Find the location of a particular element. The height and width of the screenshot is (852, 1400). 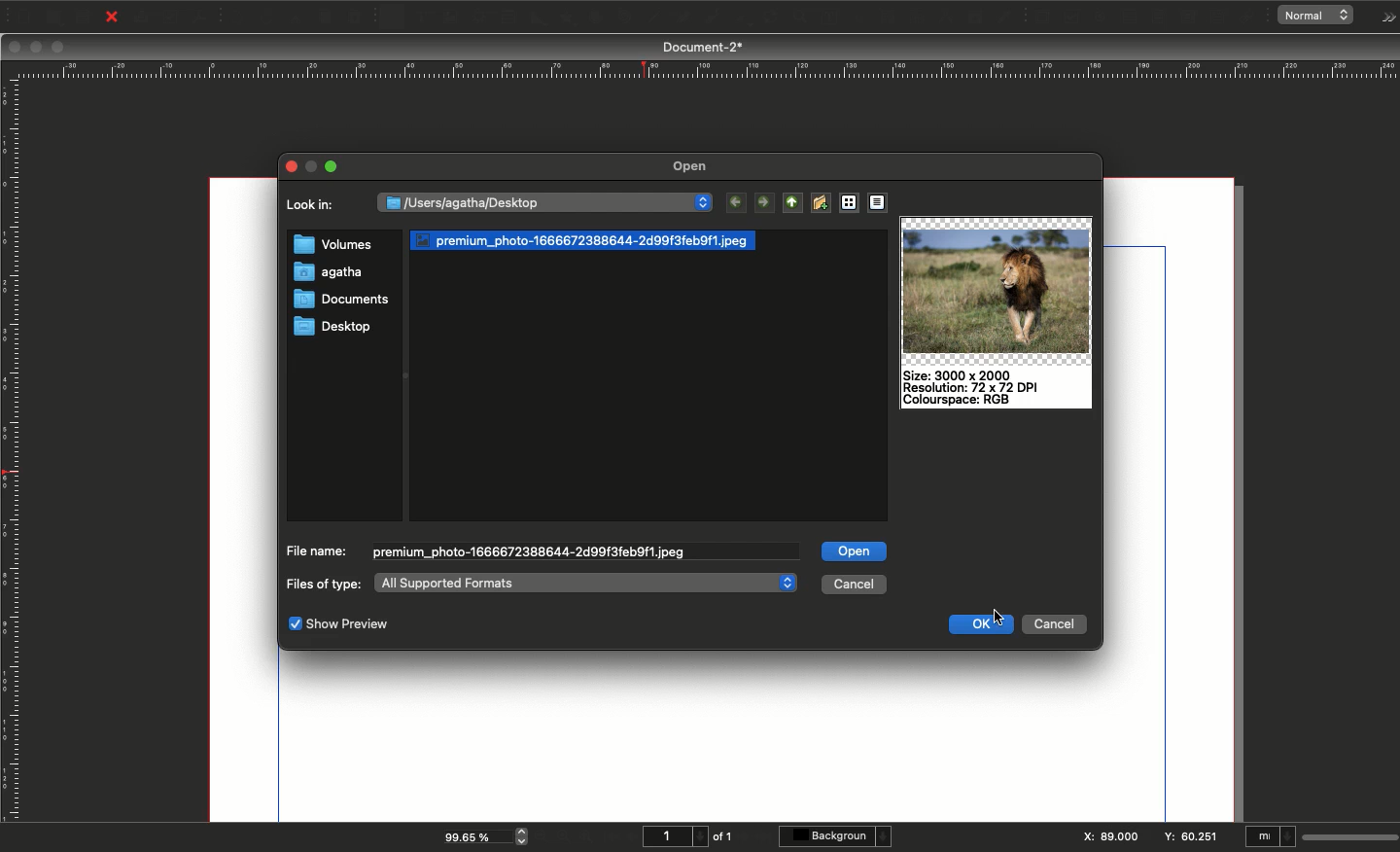

premium_photo-1666672388644-2d99f3feb9f1.jpeg is located at coordinates (587, 239).